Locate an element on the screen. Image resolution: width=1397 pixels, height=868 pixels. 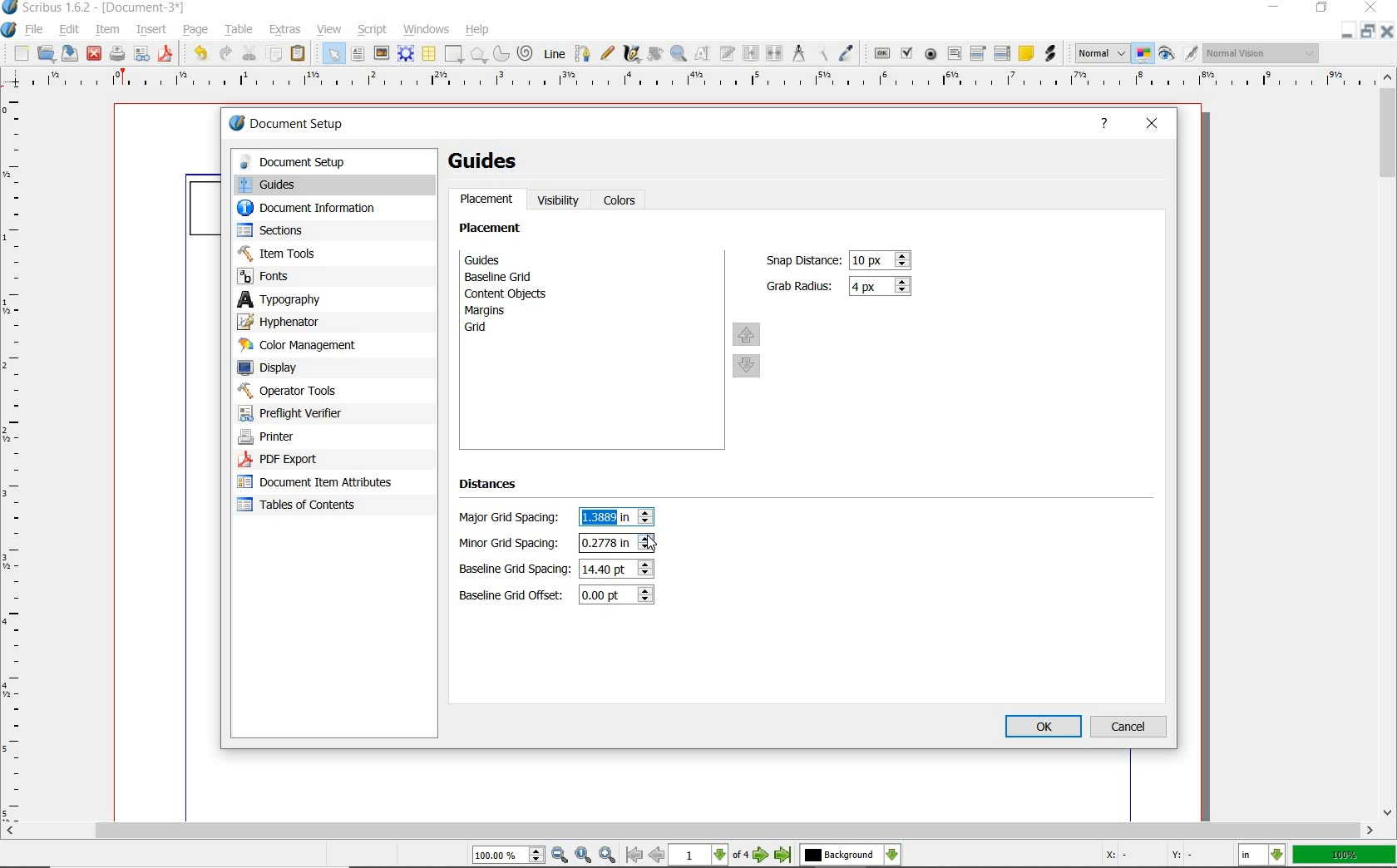
placement is located at coordinates (487, 201).